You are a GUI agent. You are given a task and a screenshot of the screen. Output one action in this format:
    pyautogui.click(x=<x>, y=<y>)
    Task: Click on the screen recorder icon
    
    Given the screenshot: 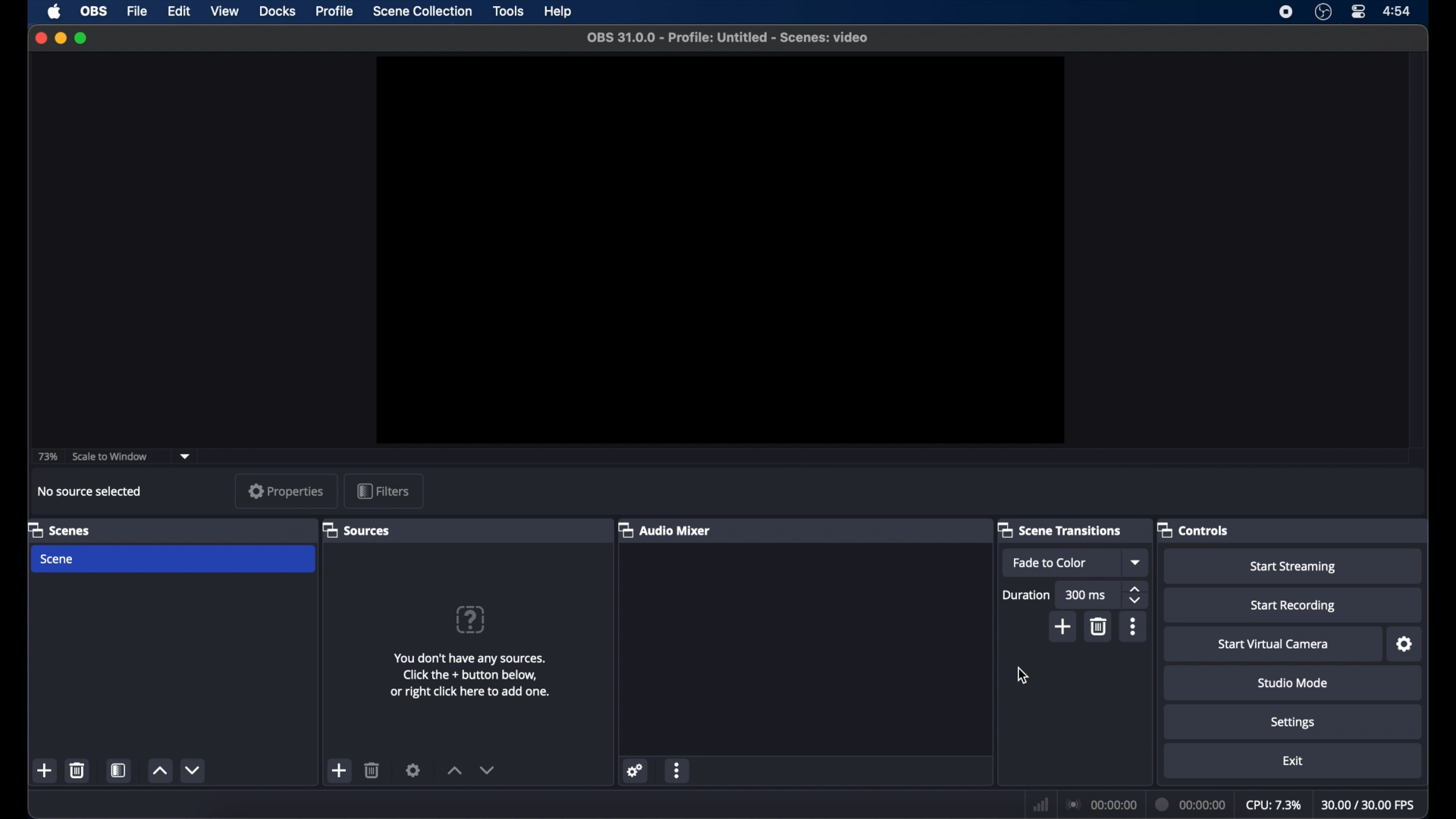 What is the action you would take?
    pyautogui.click(x=1286, y=12)
    